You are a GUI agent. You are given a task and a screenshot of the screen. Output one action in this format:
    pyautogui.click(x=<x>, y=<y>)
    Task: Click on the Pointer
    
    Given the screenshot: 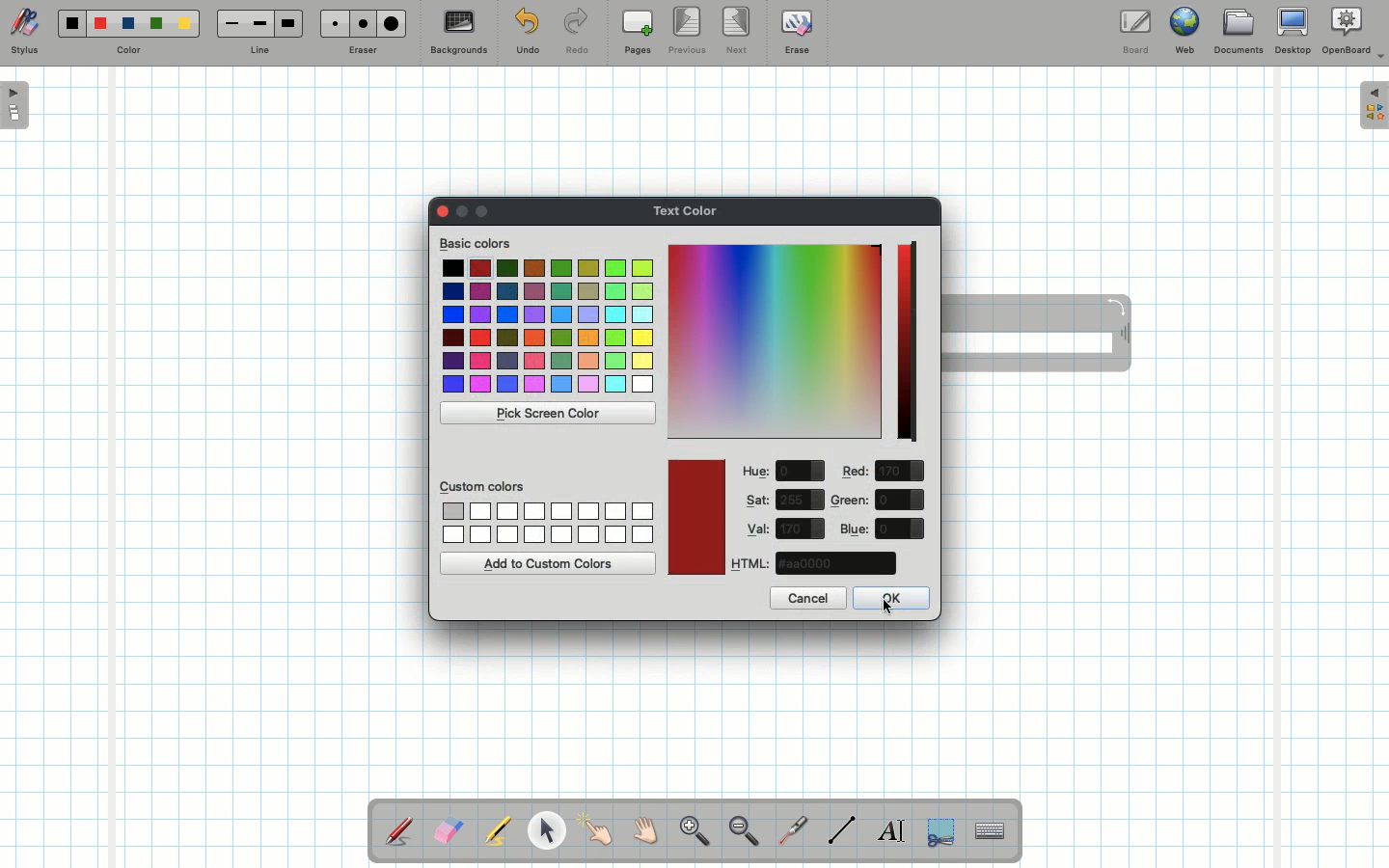 What is the action you would take?
    pyautogui.click(x=596, y=830)
    